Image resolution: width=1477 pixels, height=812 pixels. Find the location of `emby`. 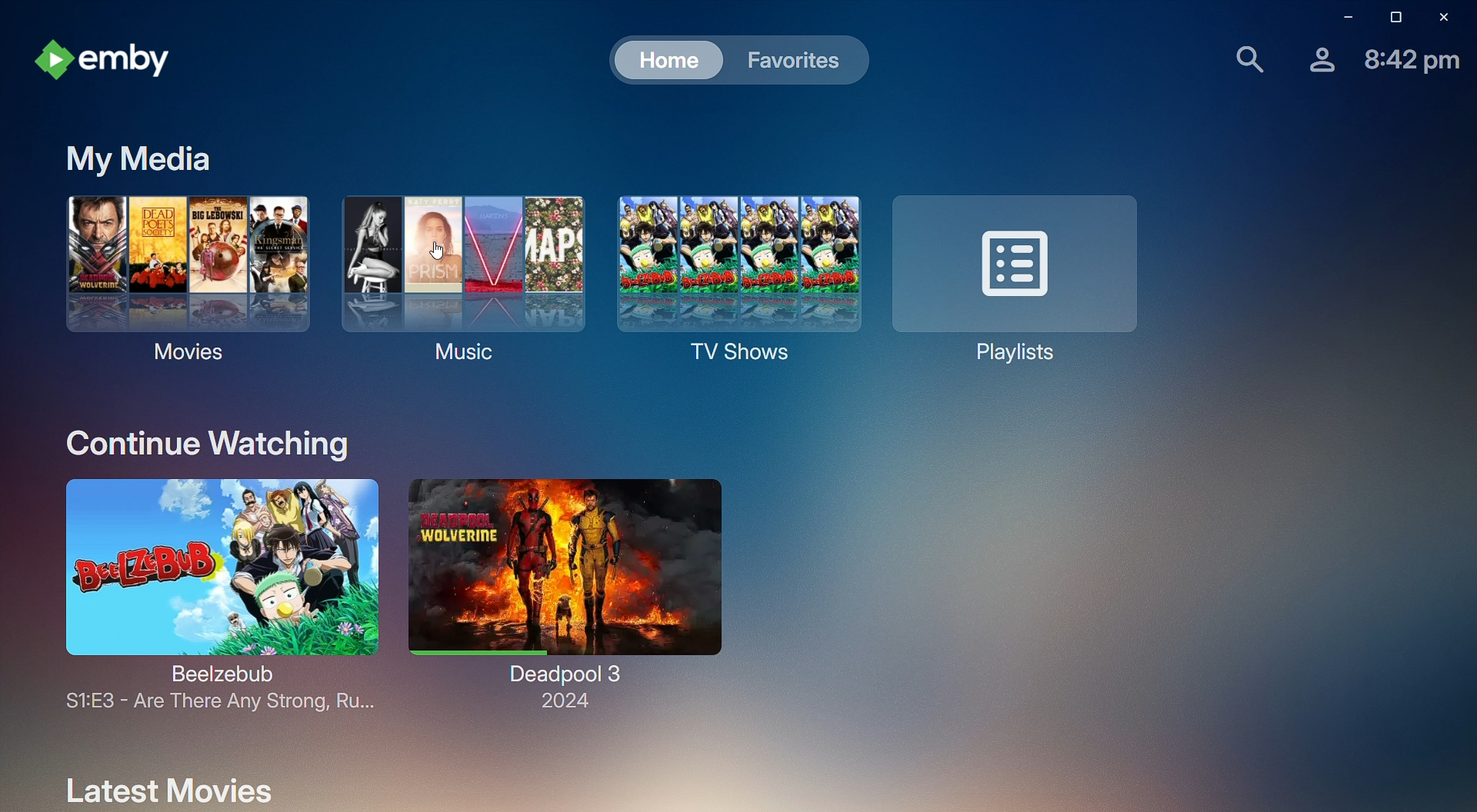

emby is located at coordinates (106, 61).